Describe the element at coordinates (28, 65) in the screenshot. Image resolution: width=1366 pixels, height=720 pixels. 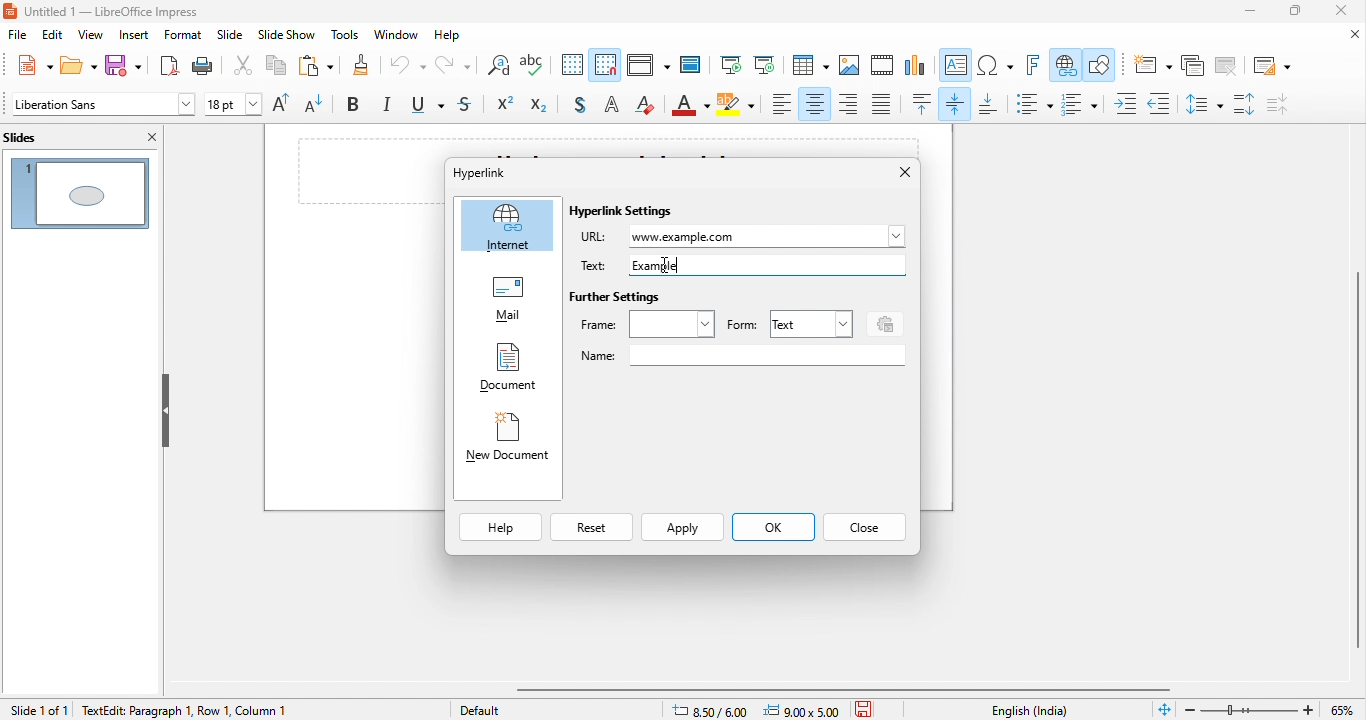
I see `new` at that location.